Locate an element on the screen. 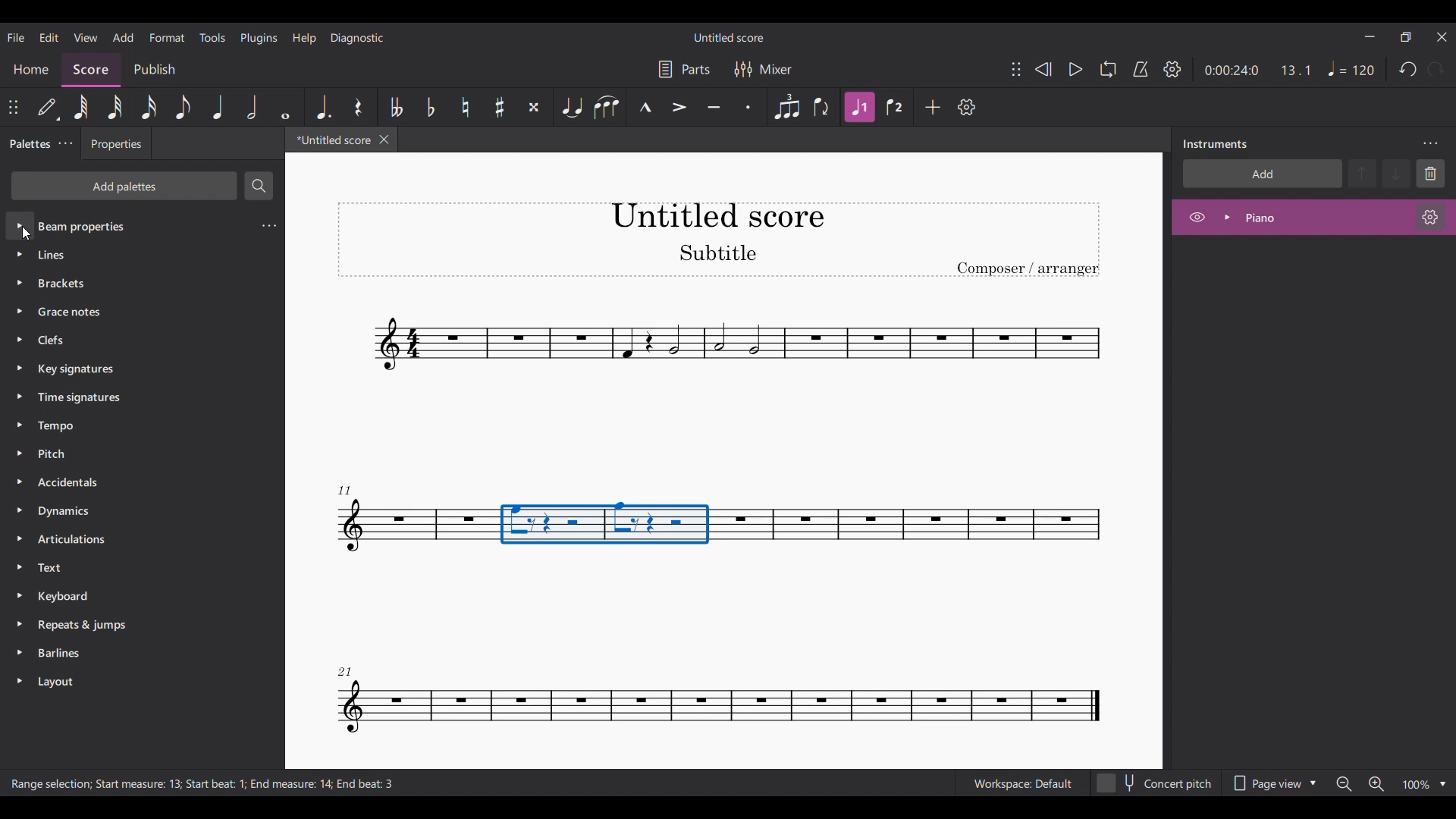 This screenshot has width=1456, height=819. 32nd note is located at coordinates (115, 107).